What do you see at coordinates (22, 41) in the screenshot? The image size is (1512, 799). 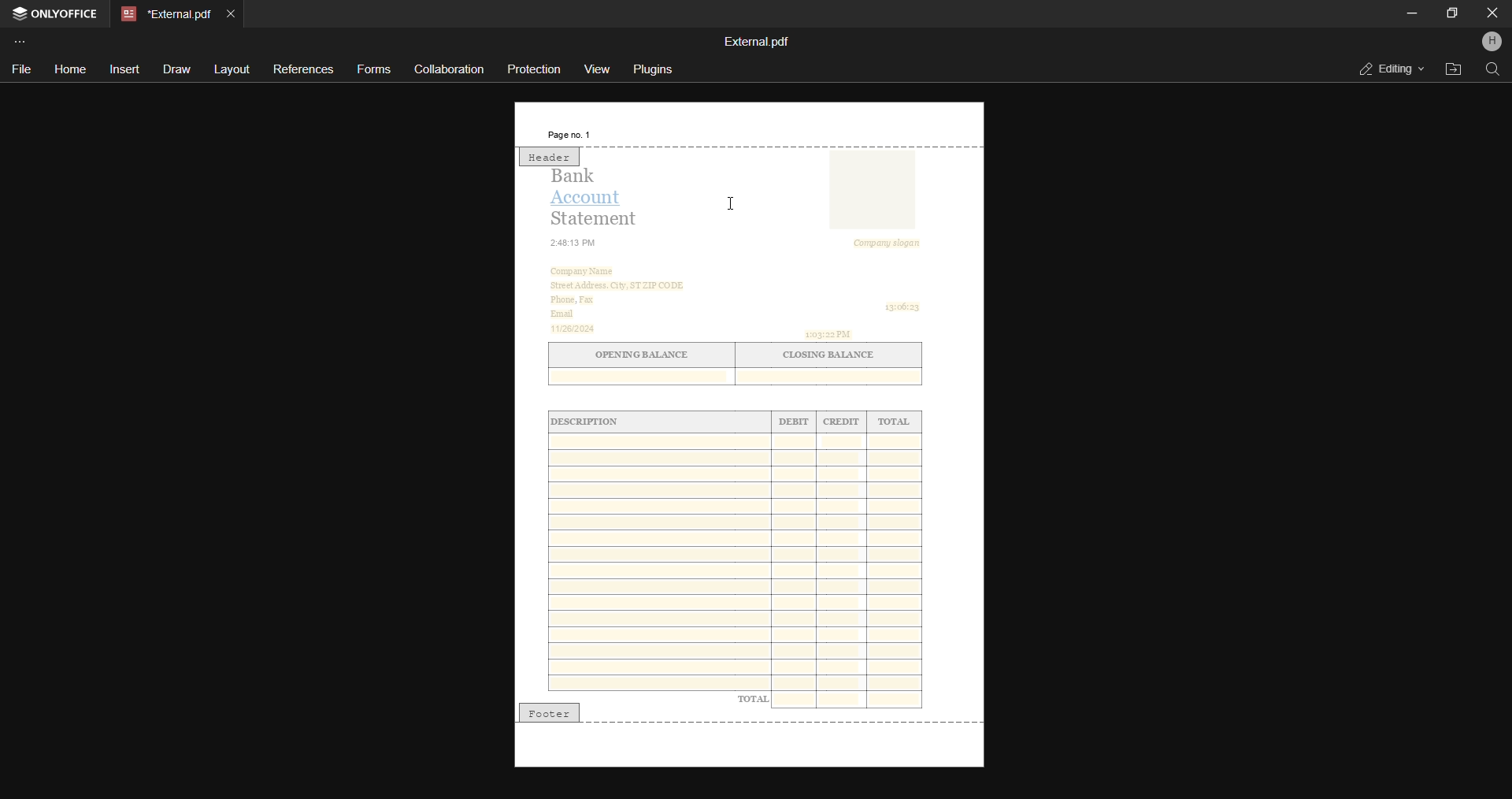 I see `customize toolbar` at bounding box center [22, 41].